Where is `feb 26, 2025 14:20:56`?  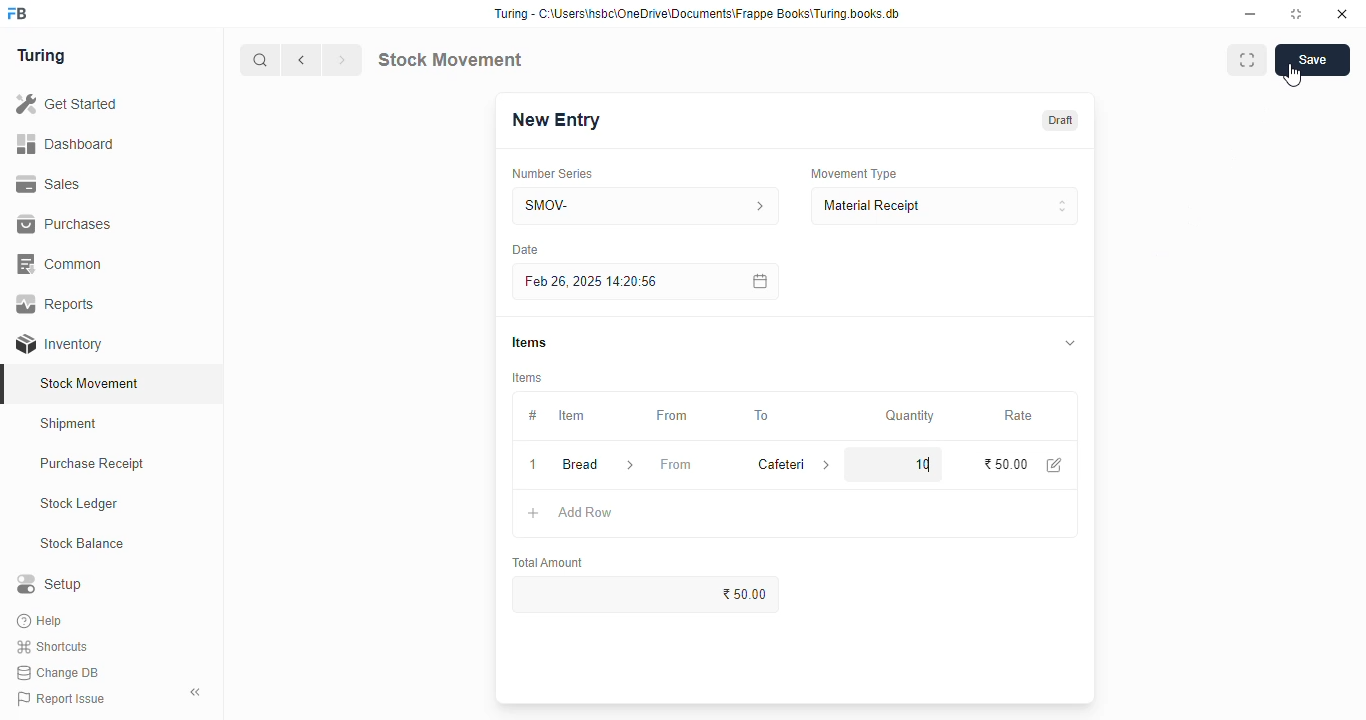 feb 26, 2025 14:20:56 is located at coordinates (595, 282).